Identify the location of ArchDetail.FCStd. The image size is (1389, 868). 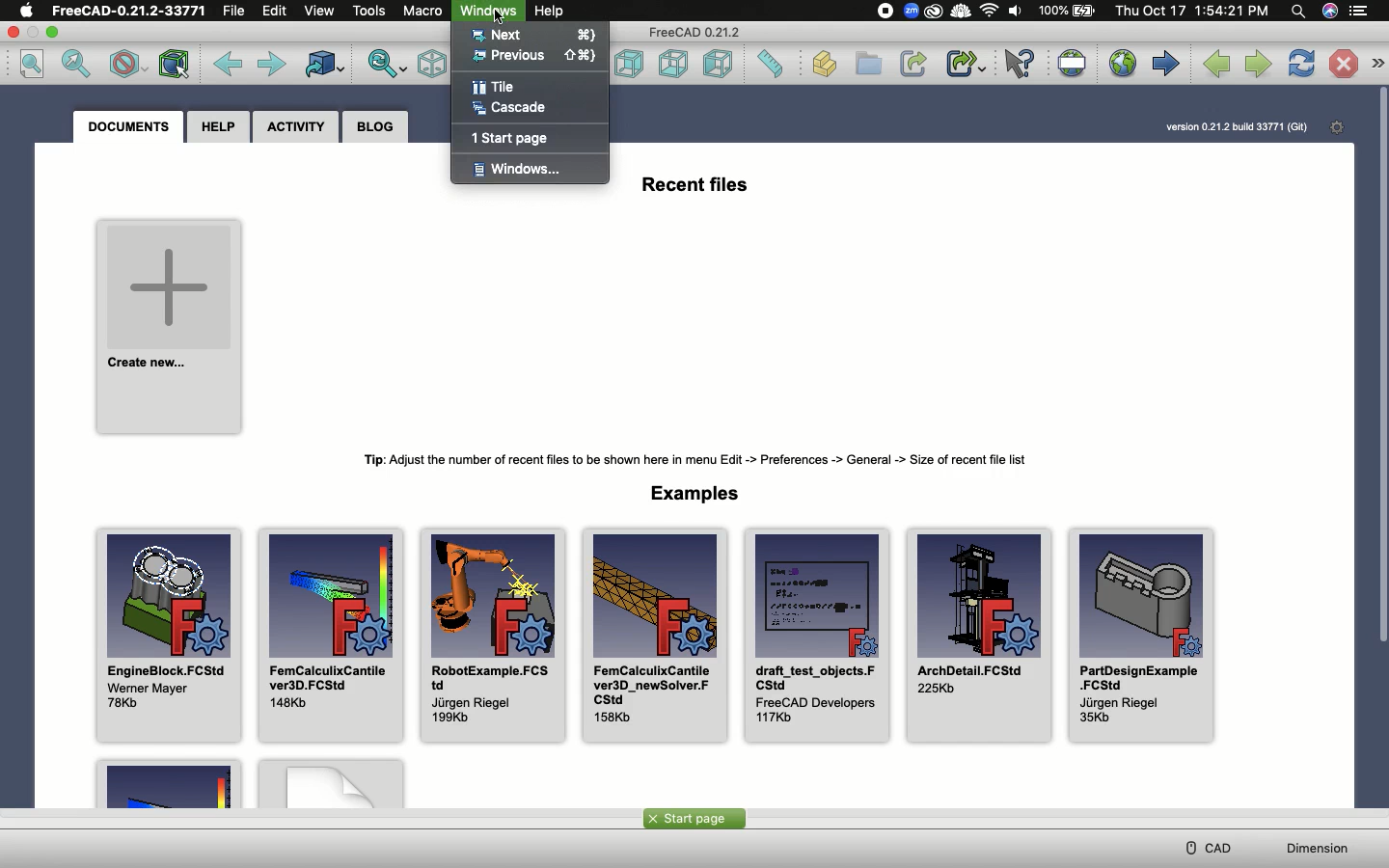
(979, 633).